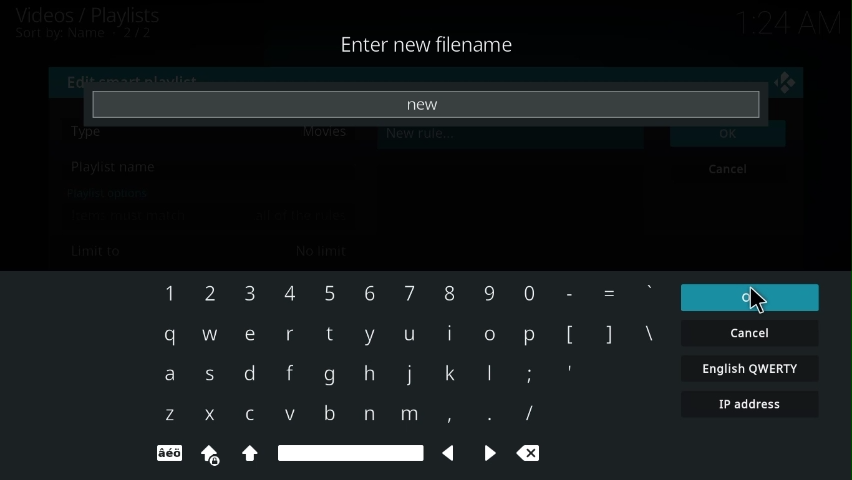 The image size is (852, 480). Describe the element at coordinates (289, 292) in the screenshot. I see `4` at that location.